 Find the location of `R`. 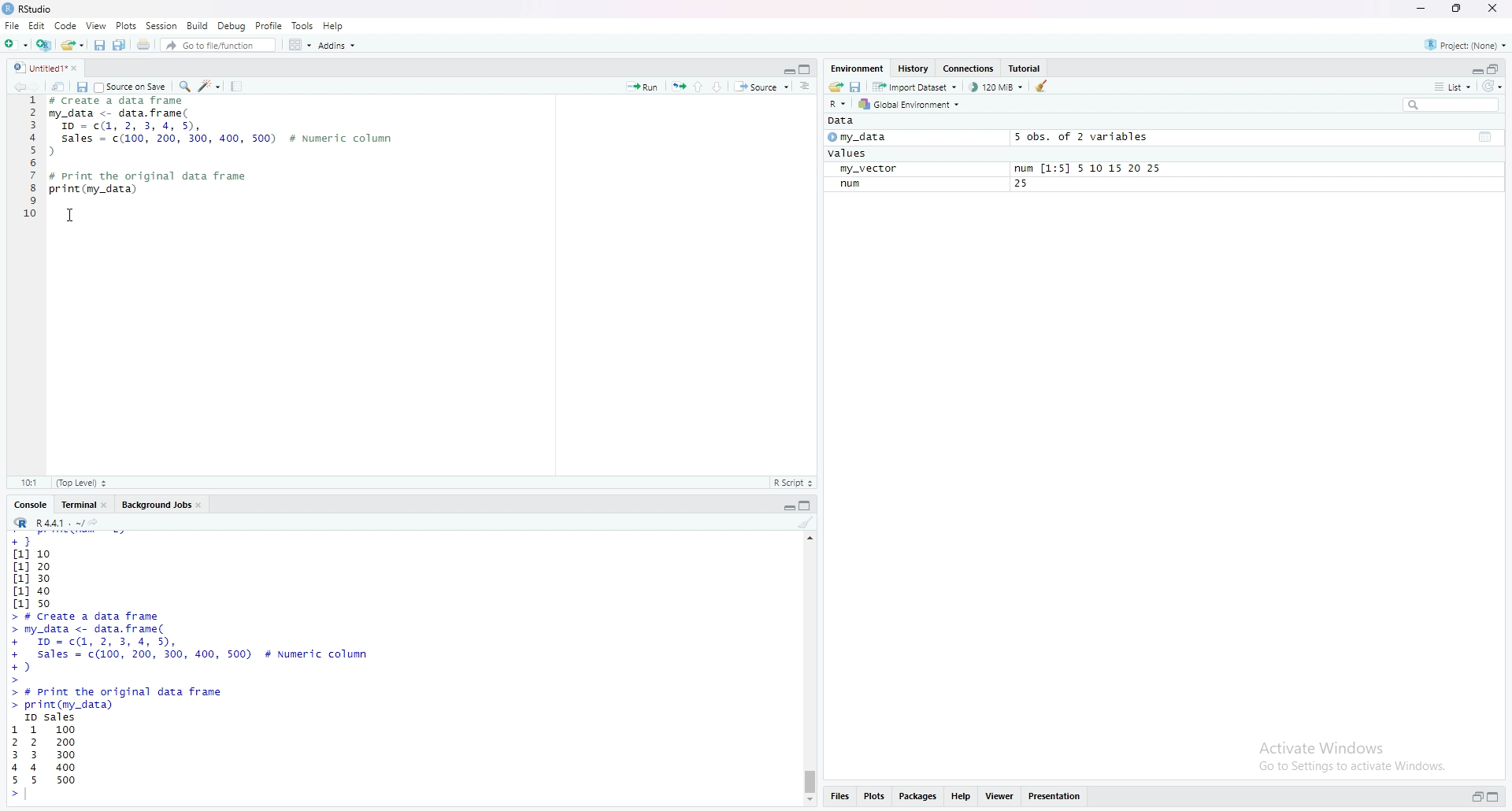

R is located at coordinates (20, 524).